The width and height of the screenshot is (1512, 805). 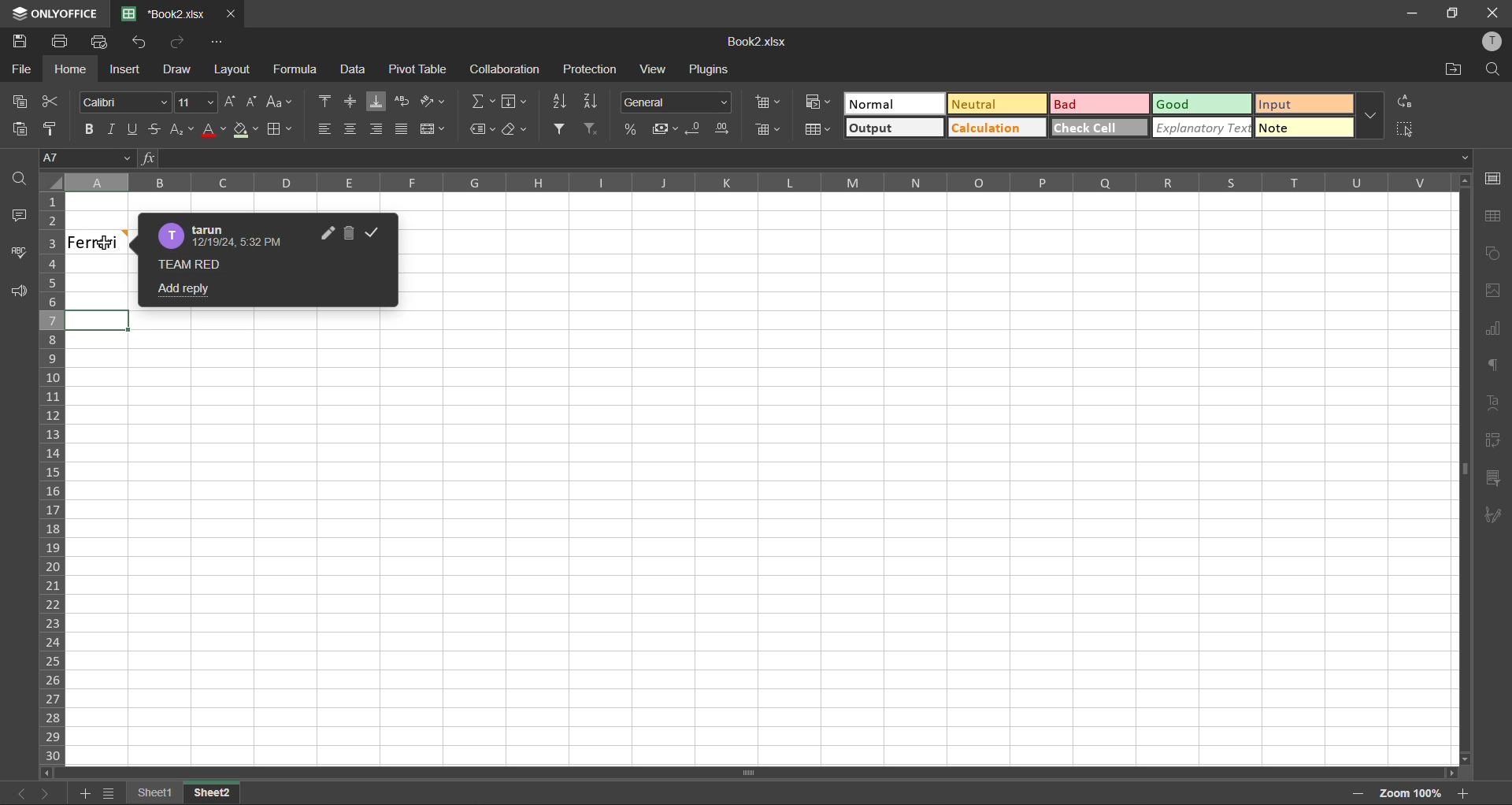 What do you see at coordinates (695, 129) in the screenshot?
I see `decrease decimal` at bounding box center [695, 129].